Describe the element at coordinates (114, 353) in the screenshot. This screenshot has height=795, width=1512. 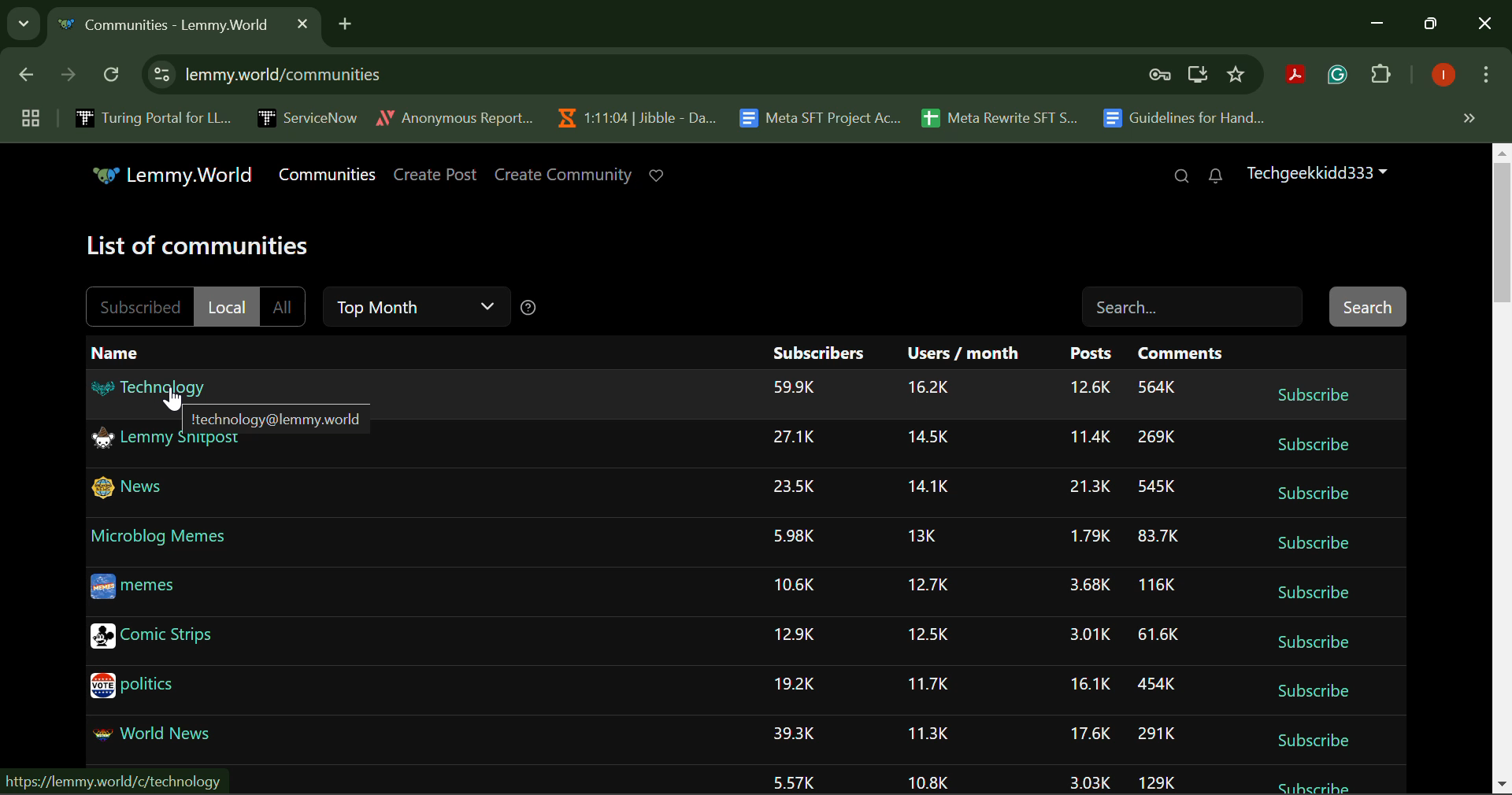
I see `Name column Heading` at that location.